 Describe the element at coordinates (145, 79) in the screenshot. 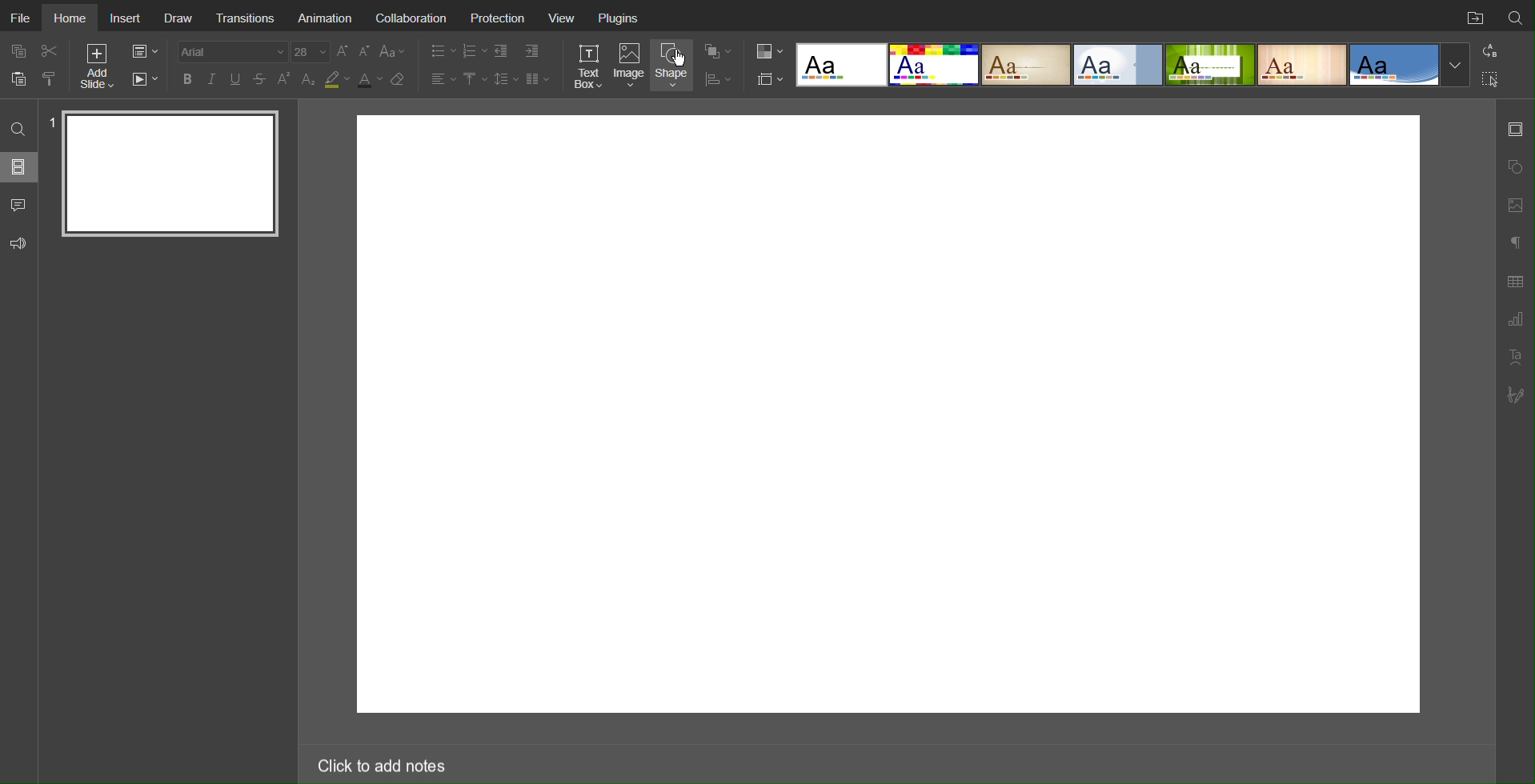

I see `Playback Settings` at that location.